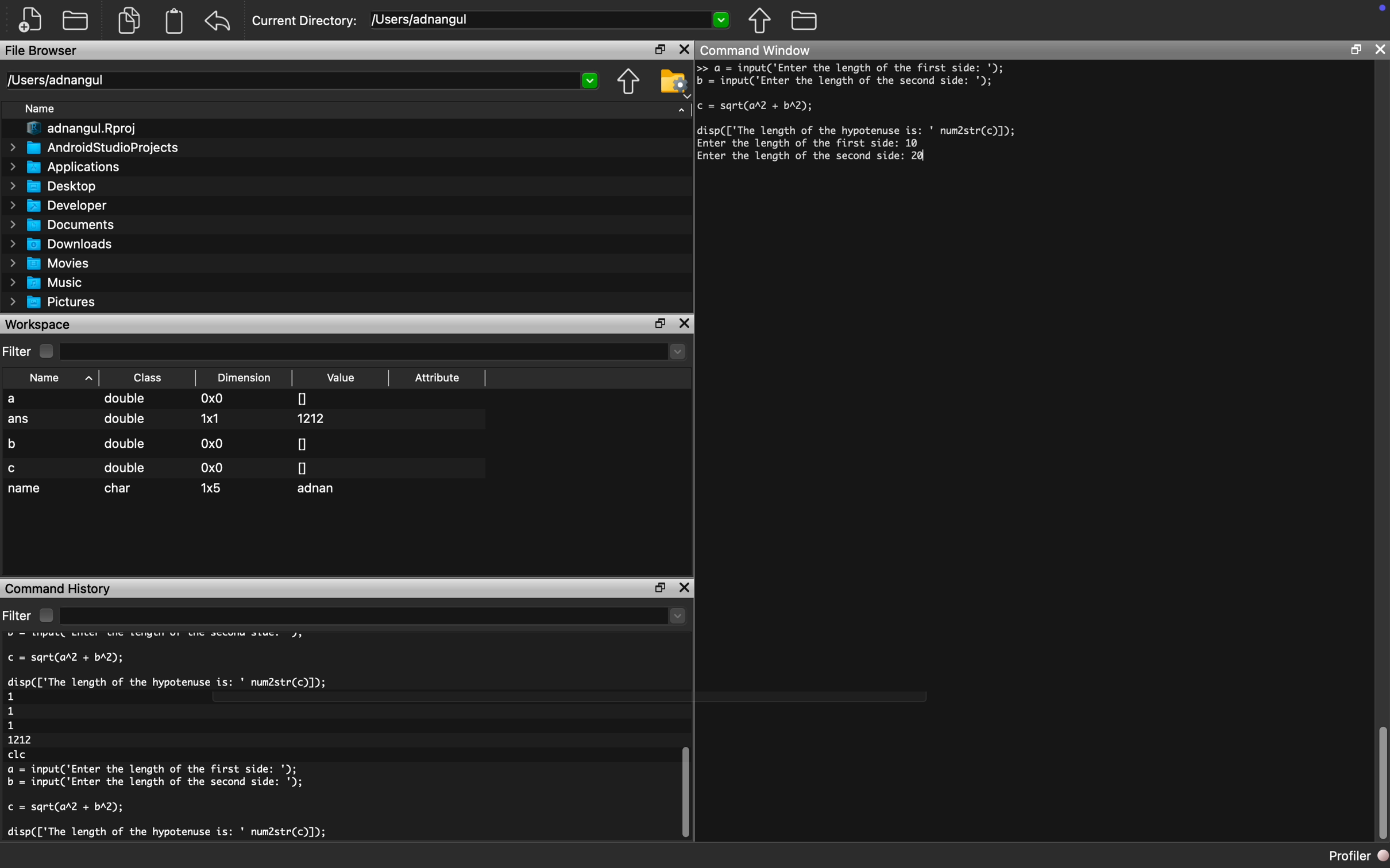 This screenshot has height=868, width=1390. What do you see at coordinates (320, 490) in the screenshot?
I see `adnan` at bounding box center [320, 490].